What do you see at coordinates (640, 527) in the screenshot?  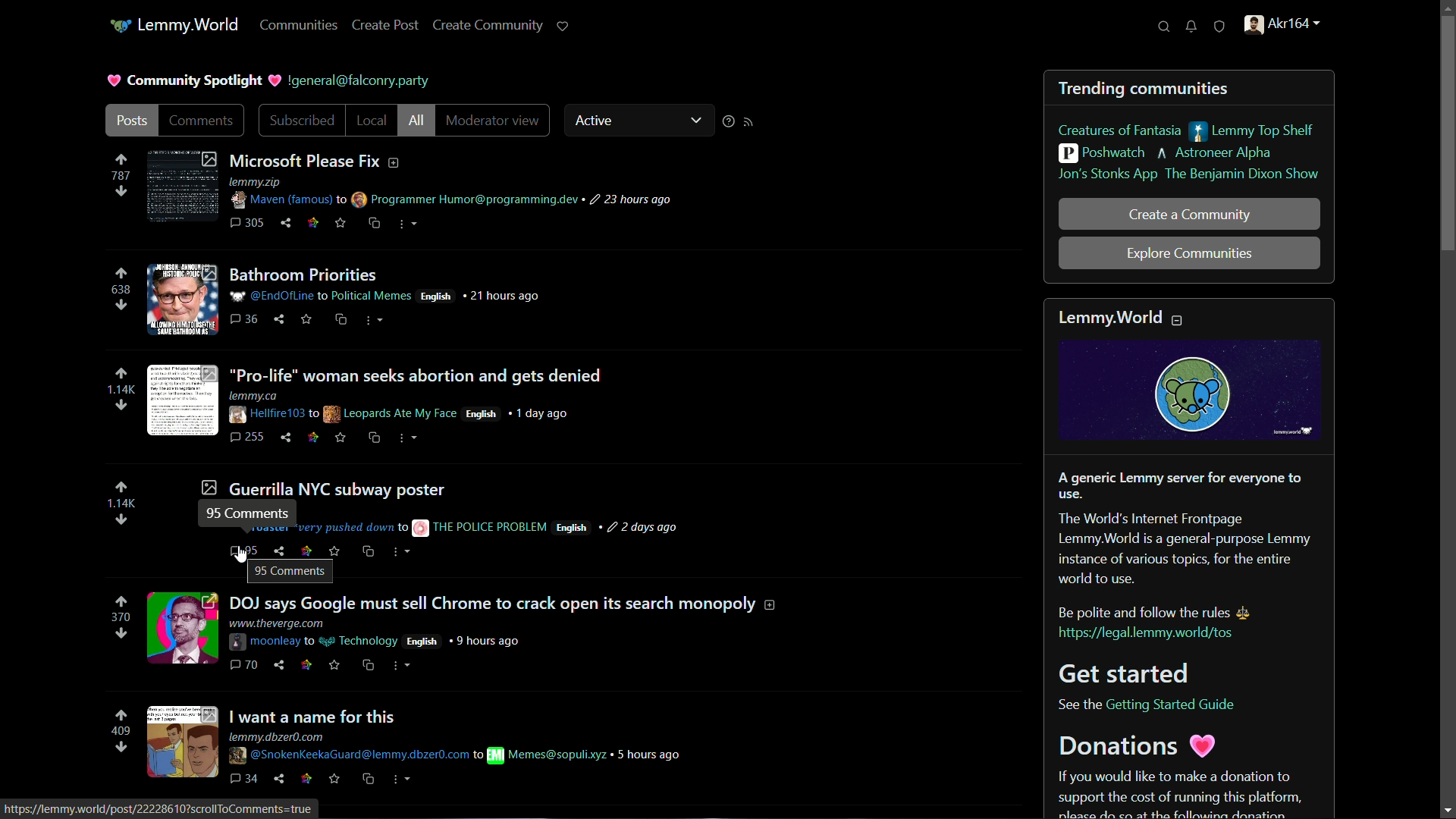 I see `post-time` at bounding box center [640, 527].